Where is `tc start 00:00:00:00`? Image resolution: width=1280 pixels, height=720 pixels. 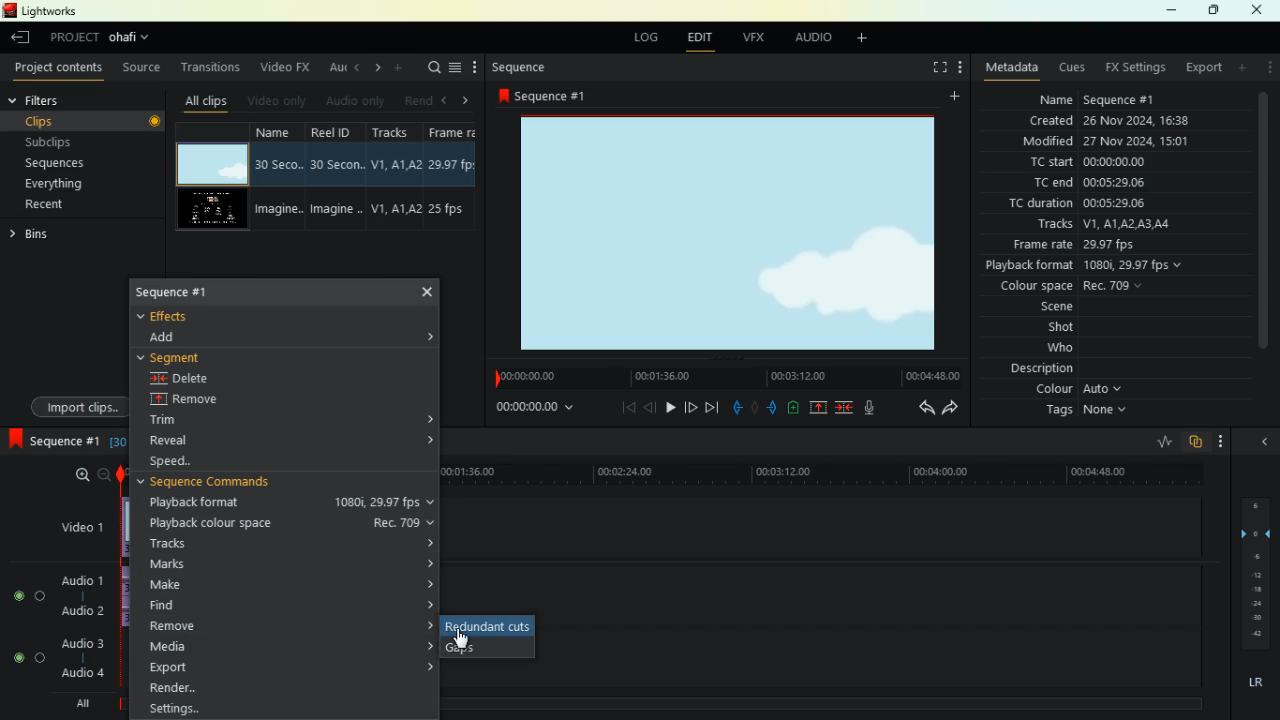
tc start 00:00:00:00 is located at coordinates (1113, 163).